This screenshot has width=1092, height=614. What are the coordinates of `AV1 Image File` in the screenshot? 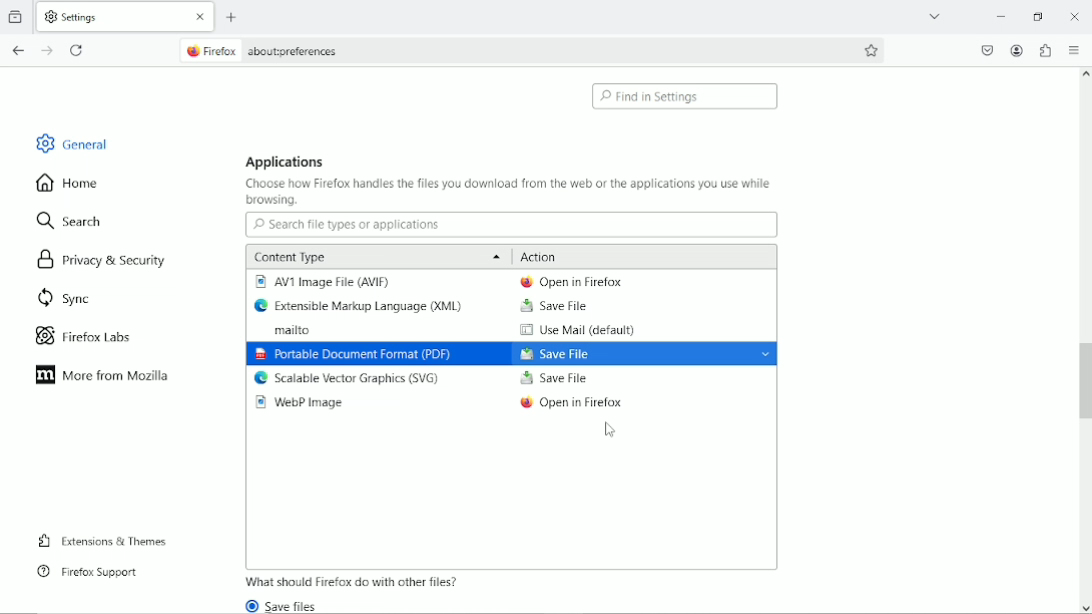 It's located at (326, 282).